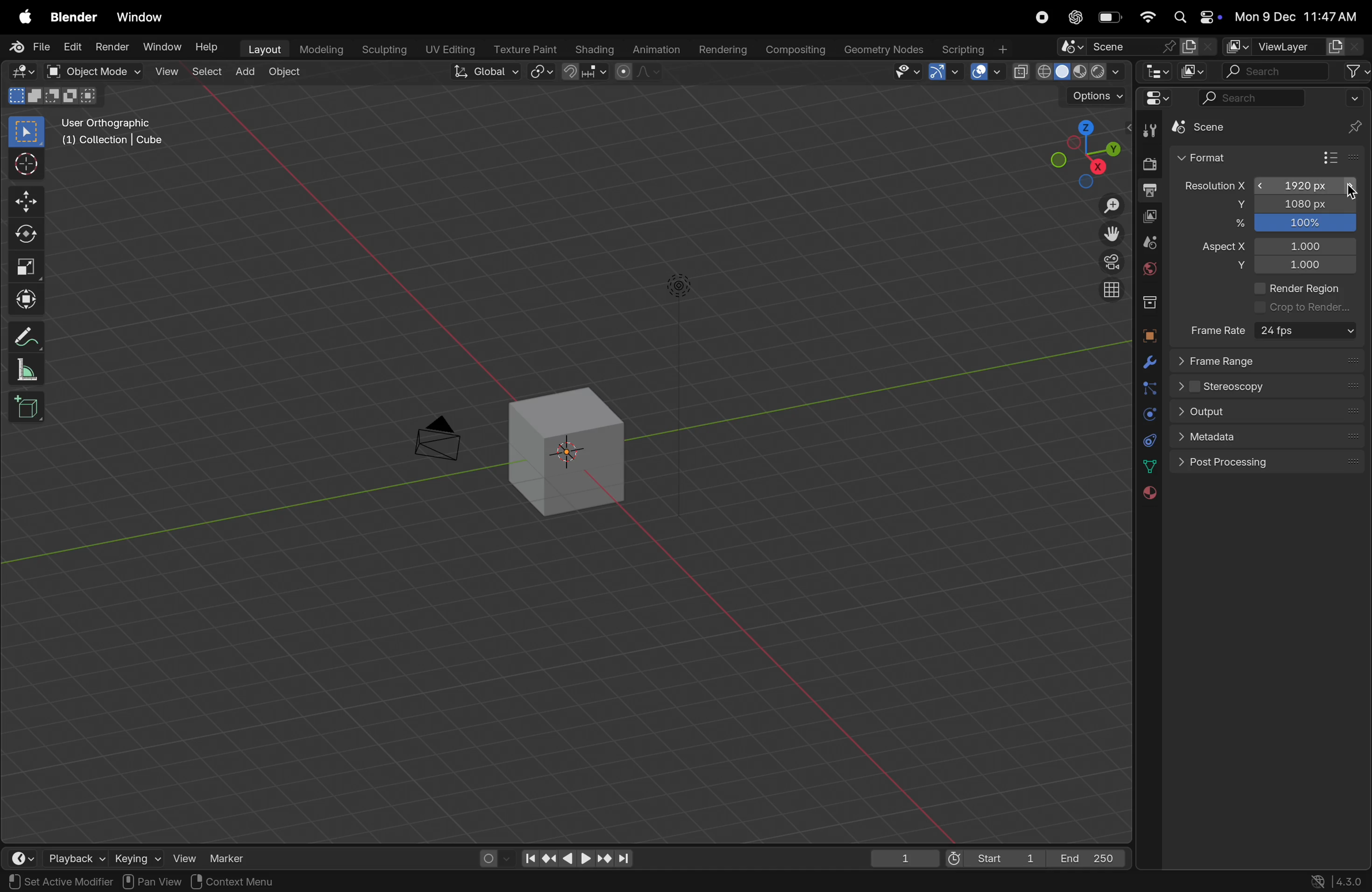  I want to click on show overlays, so click(981, 73).